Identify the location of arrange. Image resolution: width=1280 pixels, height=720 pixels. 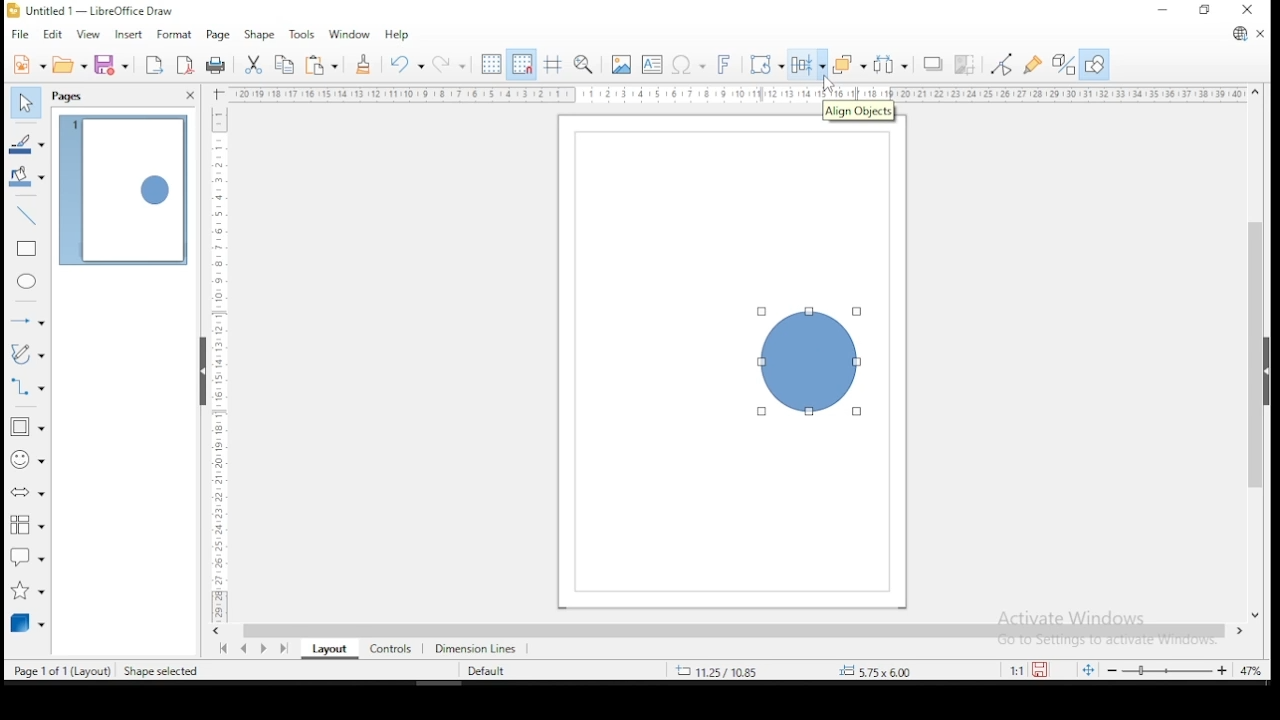
(849, 64).